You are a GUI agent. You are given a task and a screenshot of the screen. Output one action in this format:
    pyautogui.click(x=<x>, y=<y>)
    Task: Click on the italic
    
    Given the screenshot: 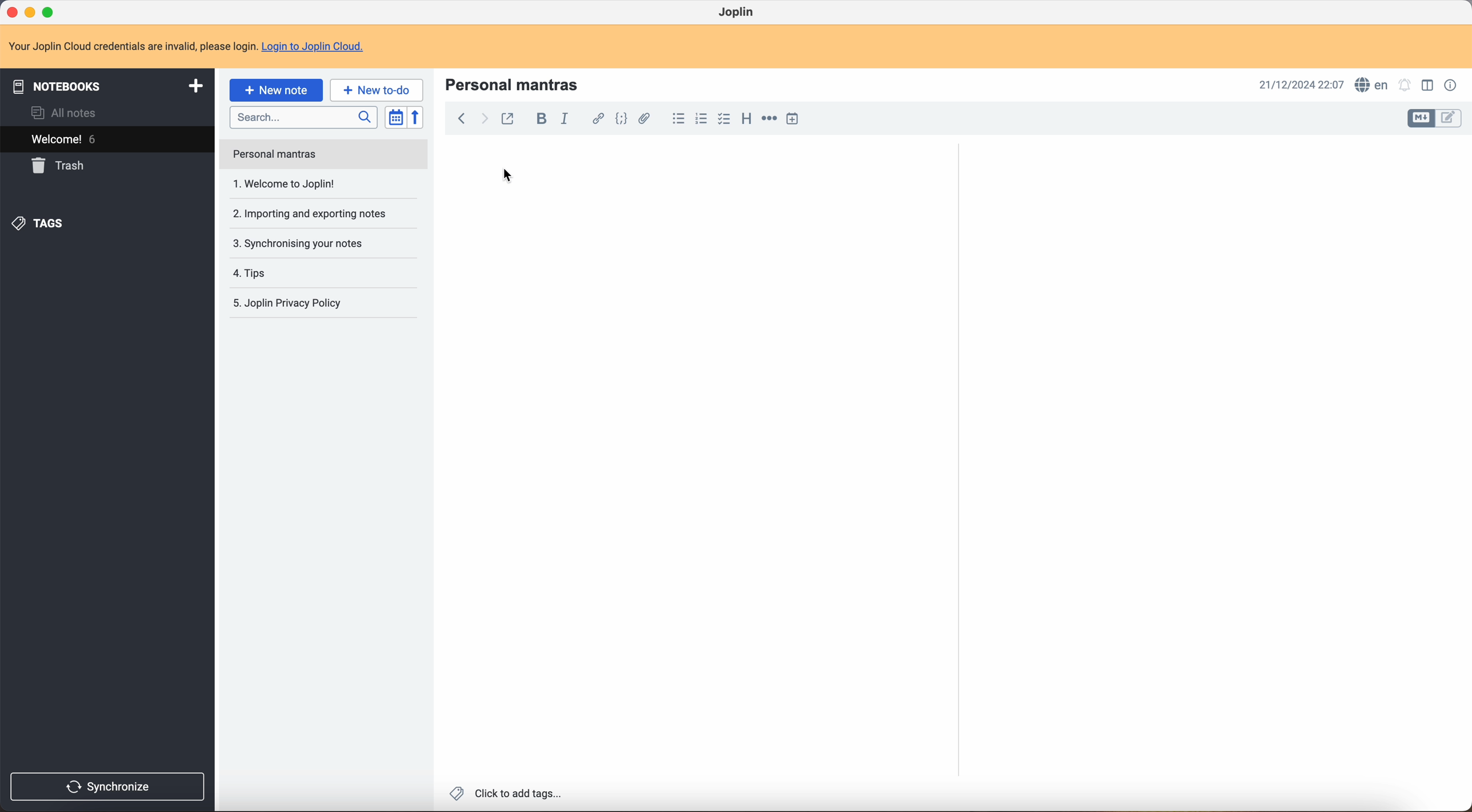 What is the action you would take?
    pyautogui.click(x=567, y=120)
    